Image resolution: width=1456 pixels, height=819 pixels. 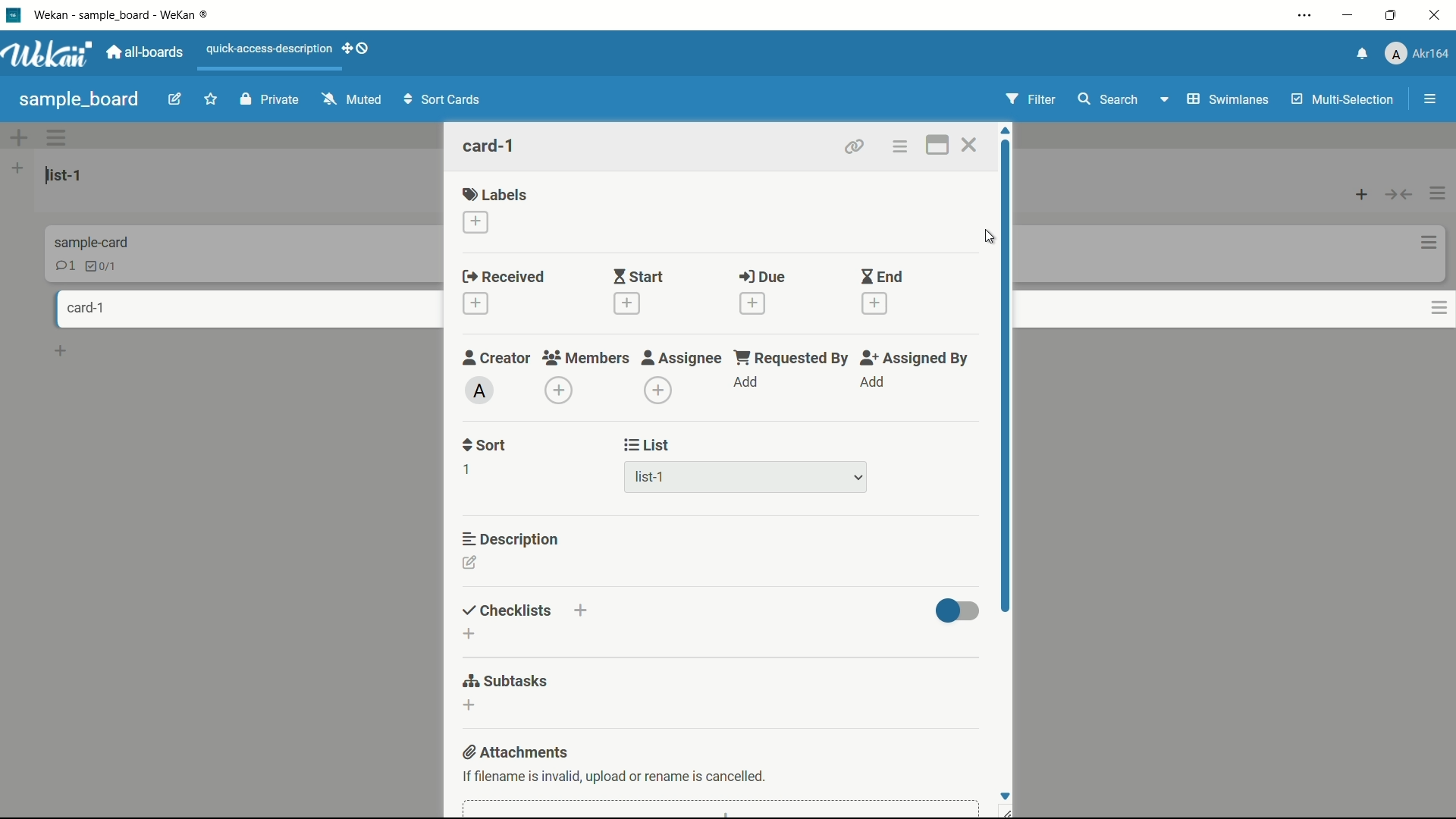 I want to click on end, so click(x=881, y=276).